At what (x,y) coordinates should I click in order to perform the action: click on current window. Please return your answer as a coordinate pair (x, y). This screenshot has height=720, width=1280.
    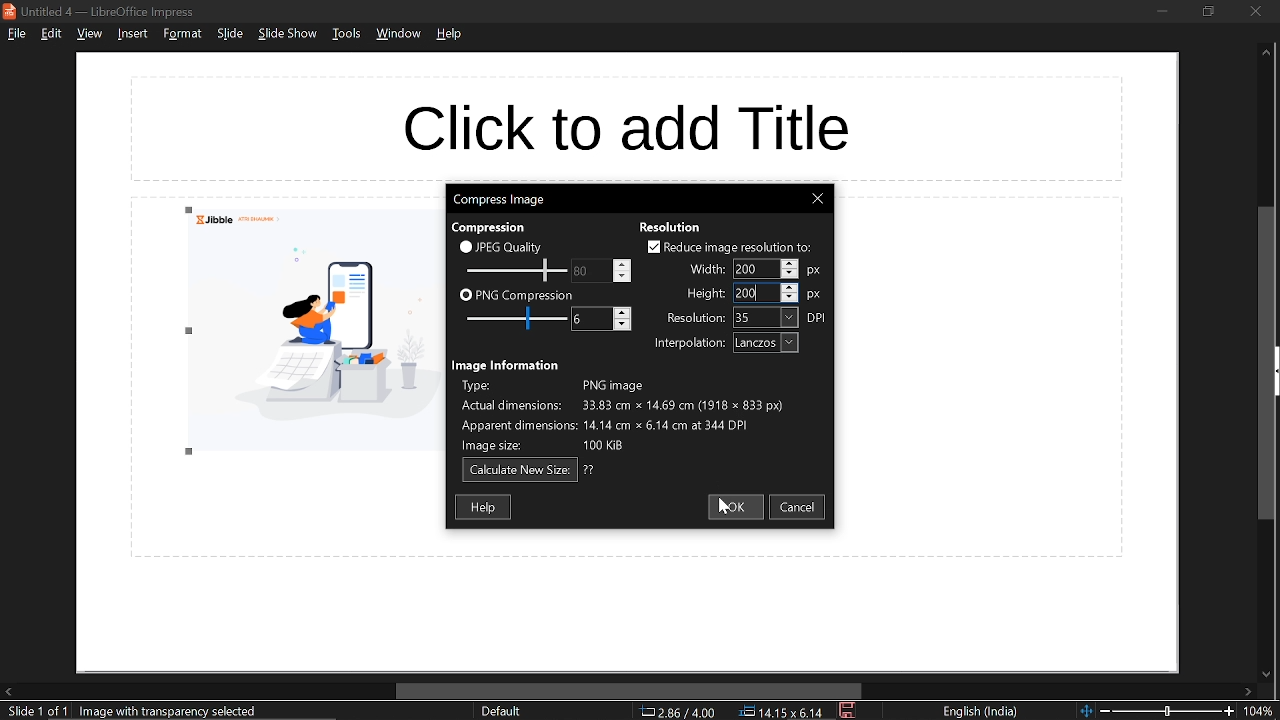
    Looking at the image, I should click on (104, 11).